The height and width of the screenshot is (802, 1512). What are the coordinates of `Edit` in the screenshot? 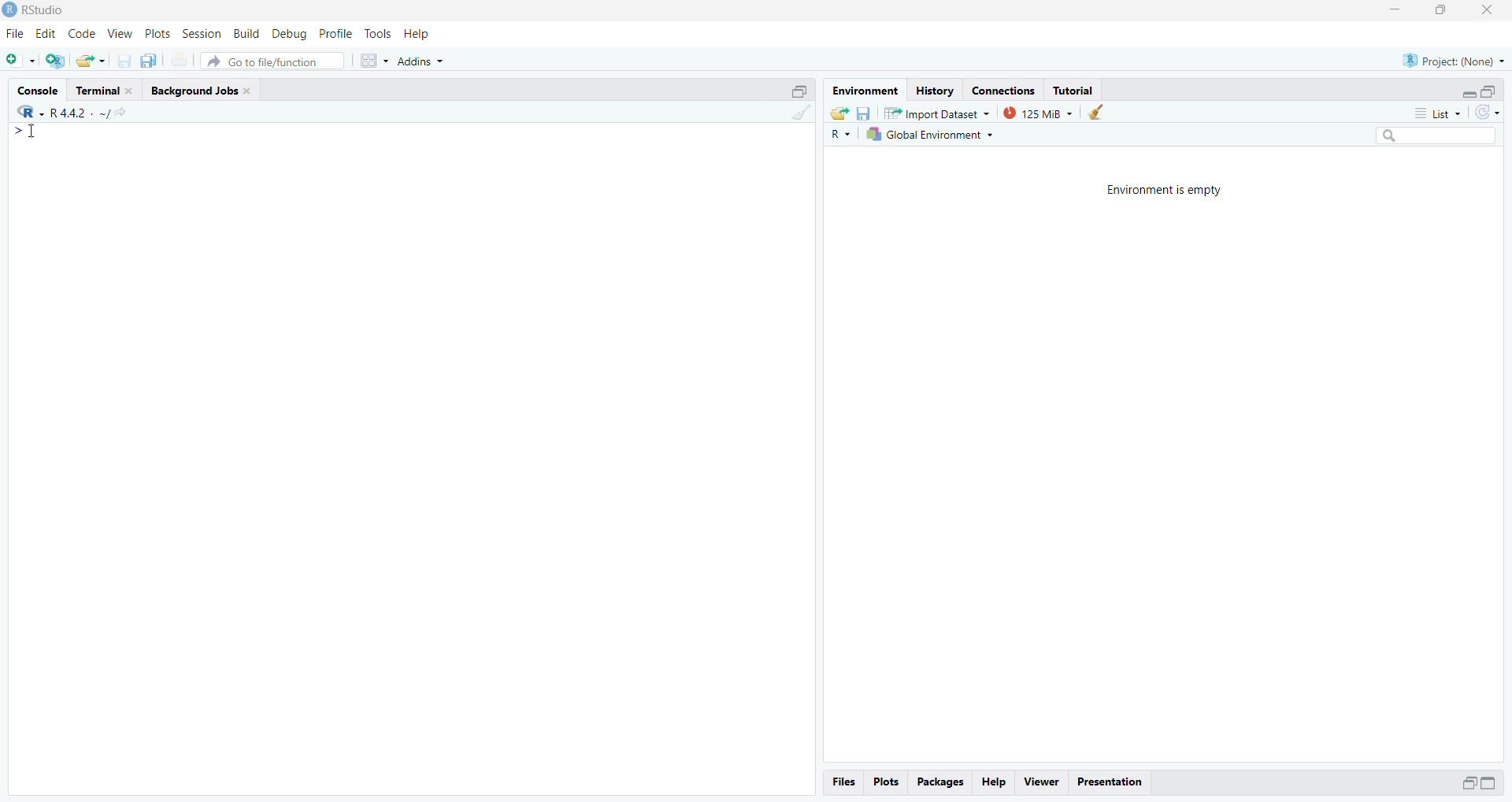 It's located at (47, 34).